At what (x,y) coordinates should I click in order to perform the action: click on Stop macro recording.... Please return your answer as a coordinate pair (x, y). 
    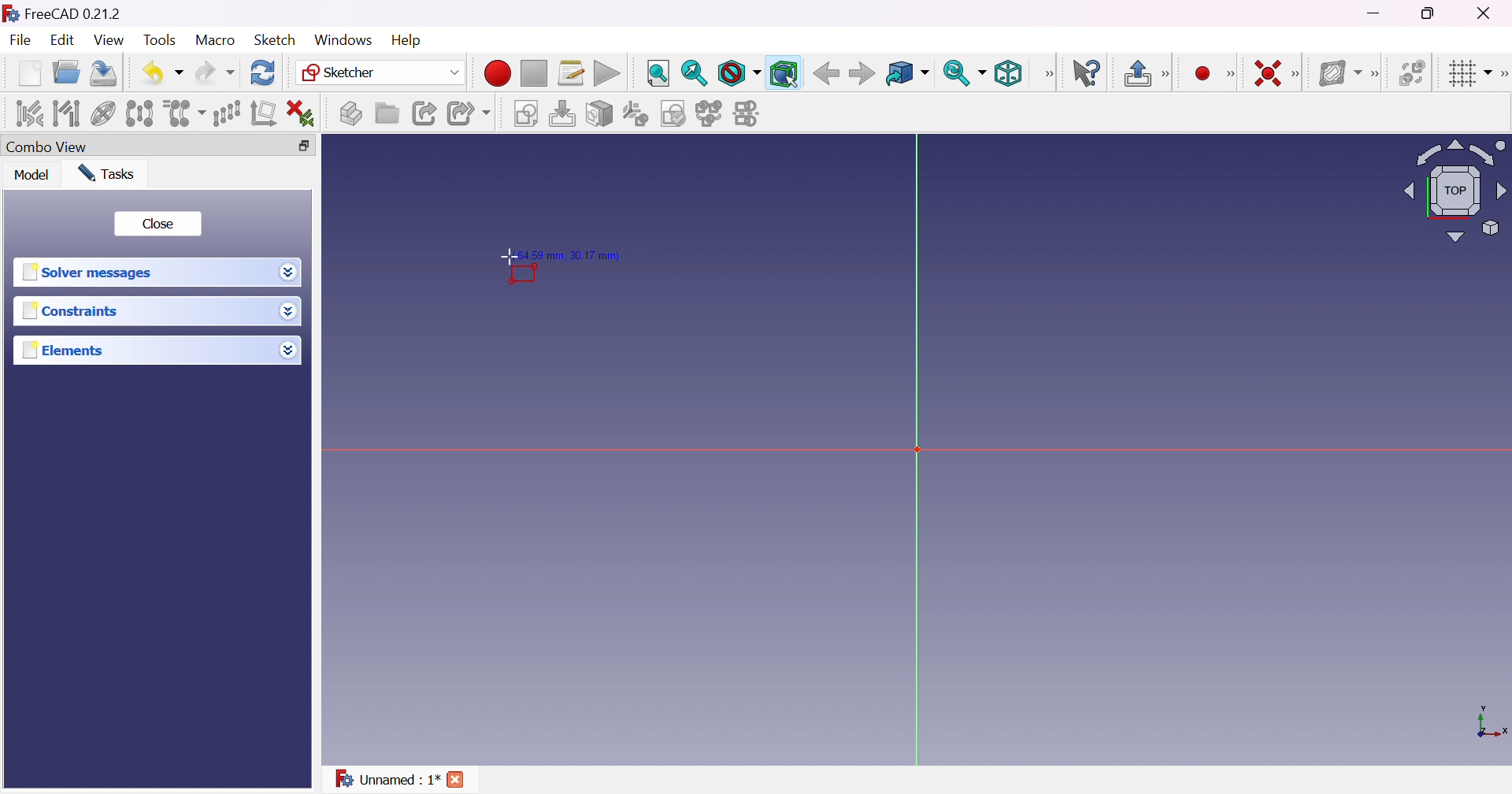
    Looking at the image, I should click on (534, 72).